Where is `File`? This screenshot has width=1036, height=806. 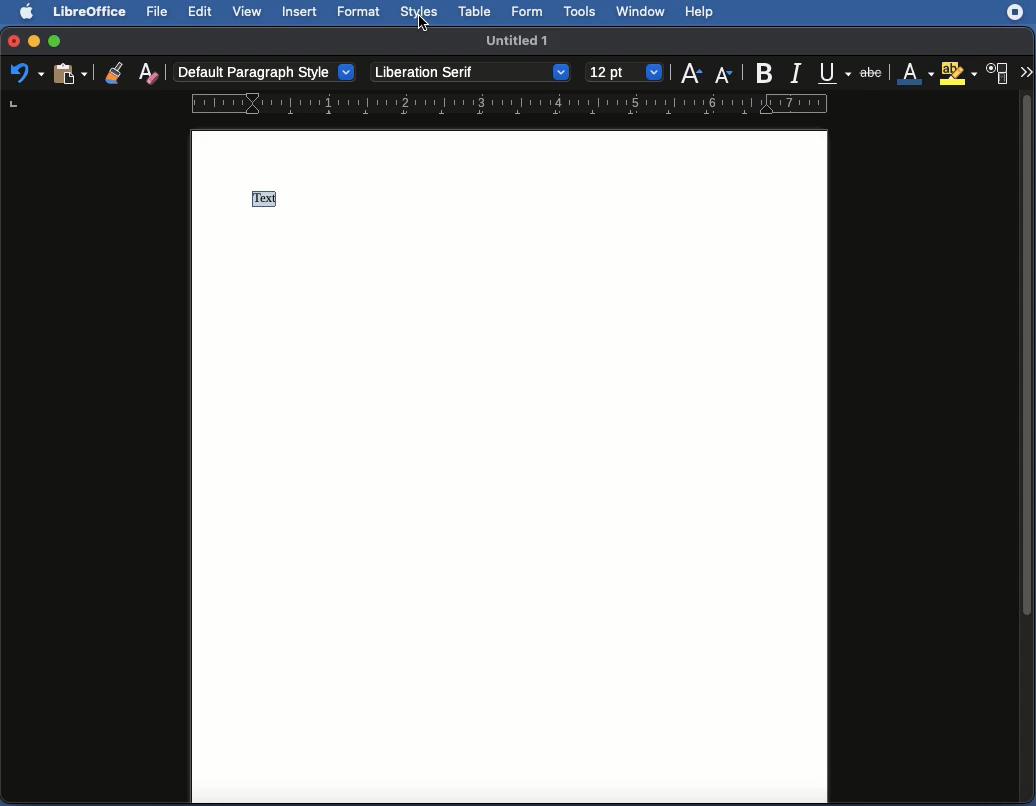
File is located at coordinates (159, 12).